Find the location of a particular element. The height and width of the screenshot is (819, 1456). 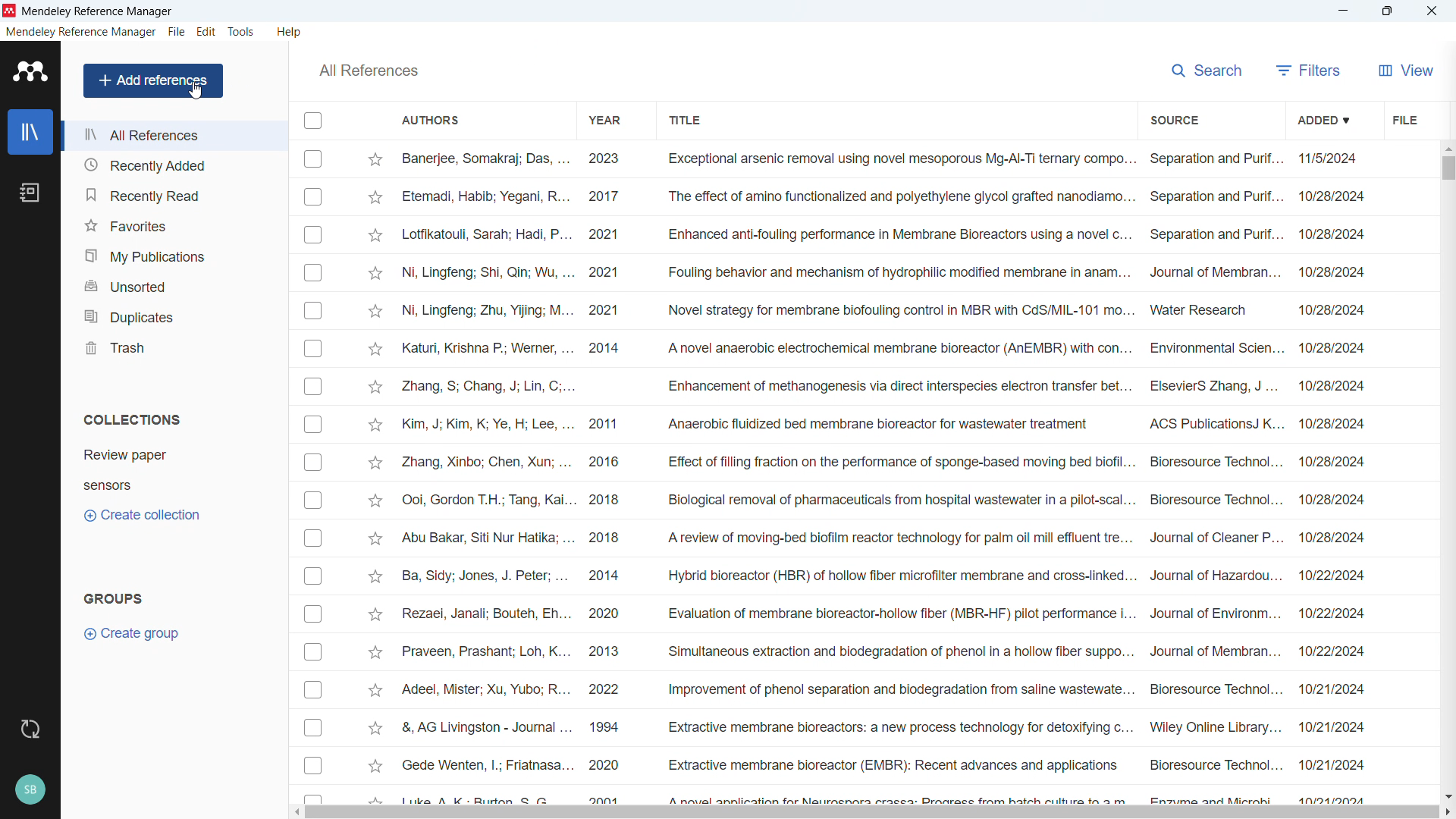

File  is located at coordinates (1403, 119).